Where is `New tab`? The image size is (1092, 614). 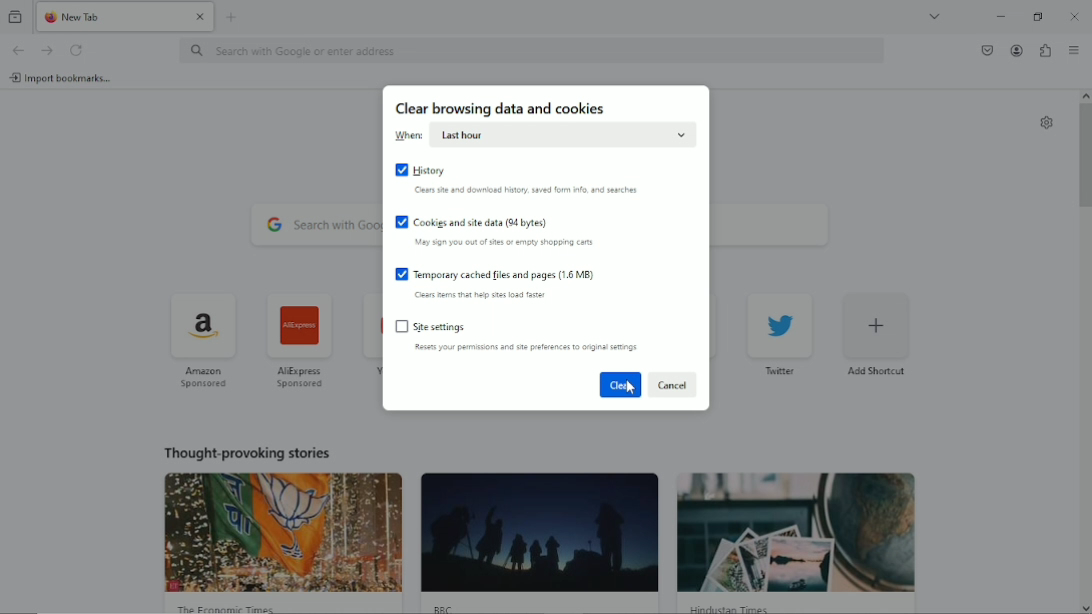 New tab is located at coordinates (234, 16).